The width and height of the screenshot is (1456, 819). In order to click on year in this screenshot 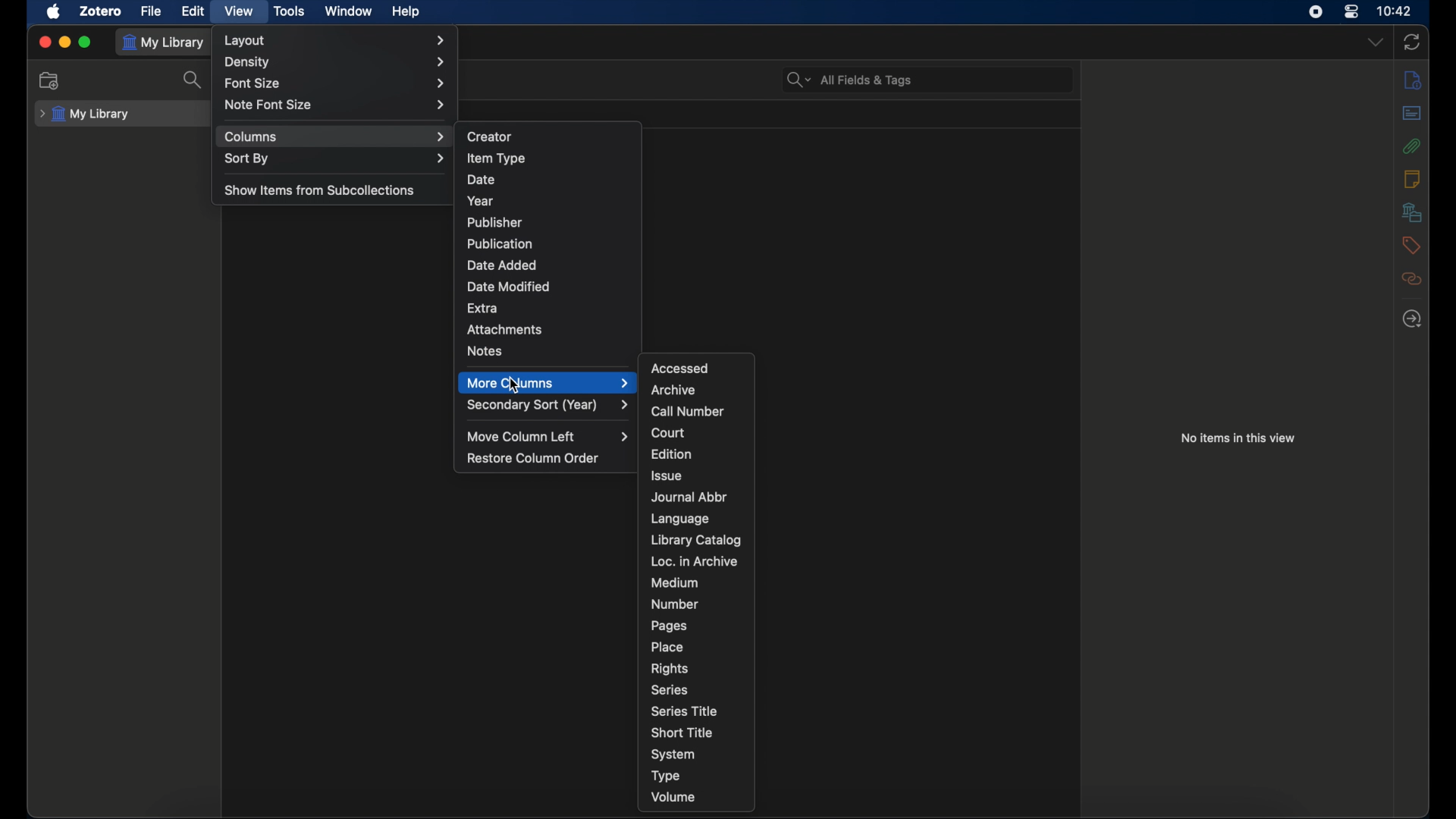, I will do `click(481, 201)`.